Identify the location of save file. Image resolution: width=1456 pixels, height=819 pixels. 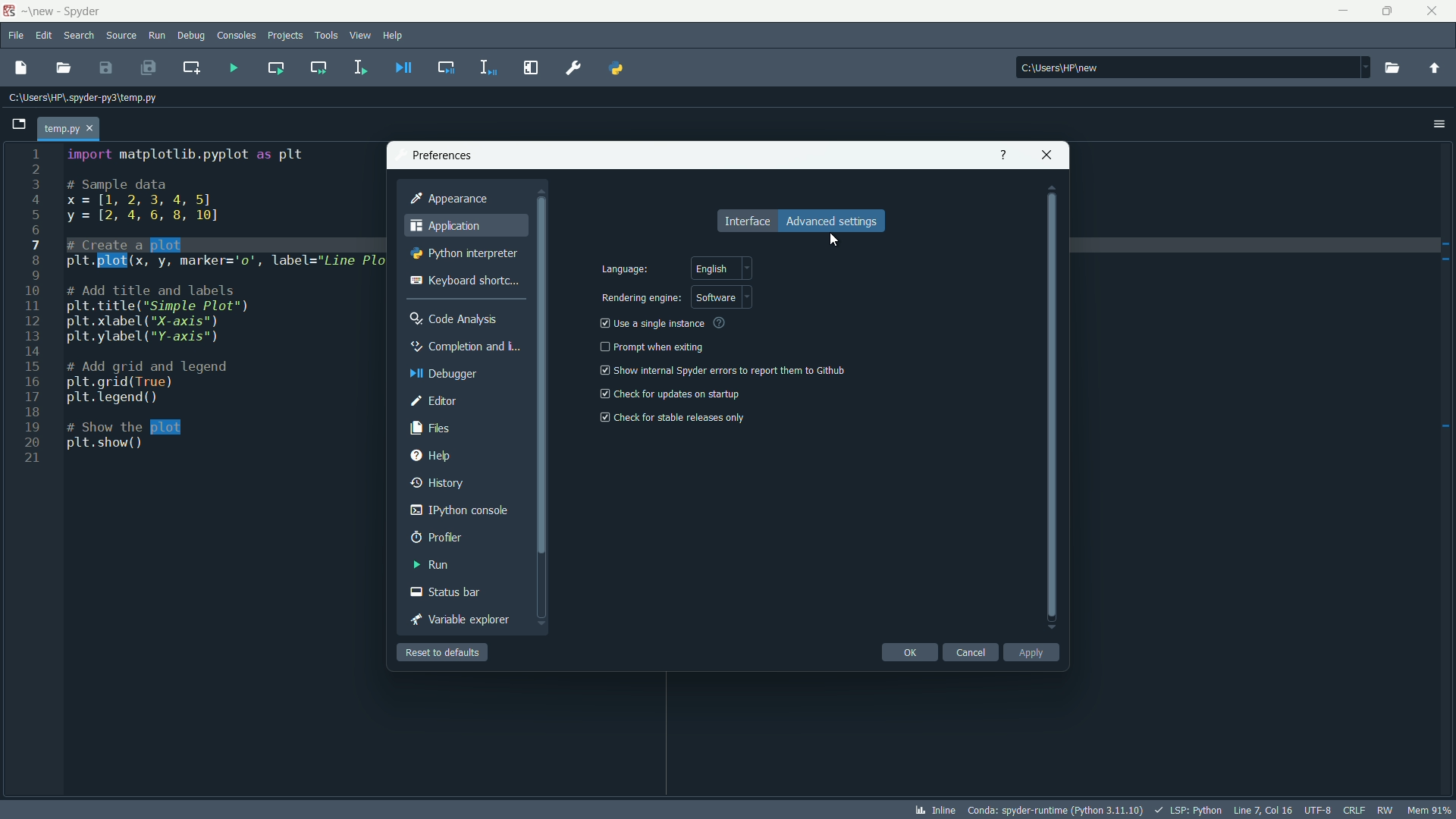
(105, 67).